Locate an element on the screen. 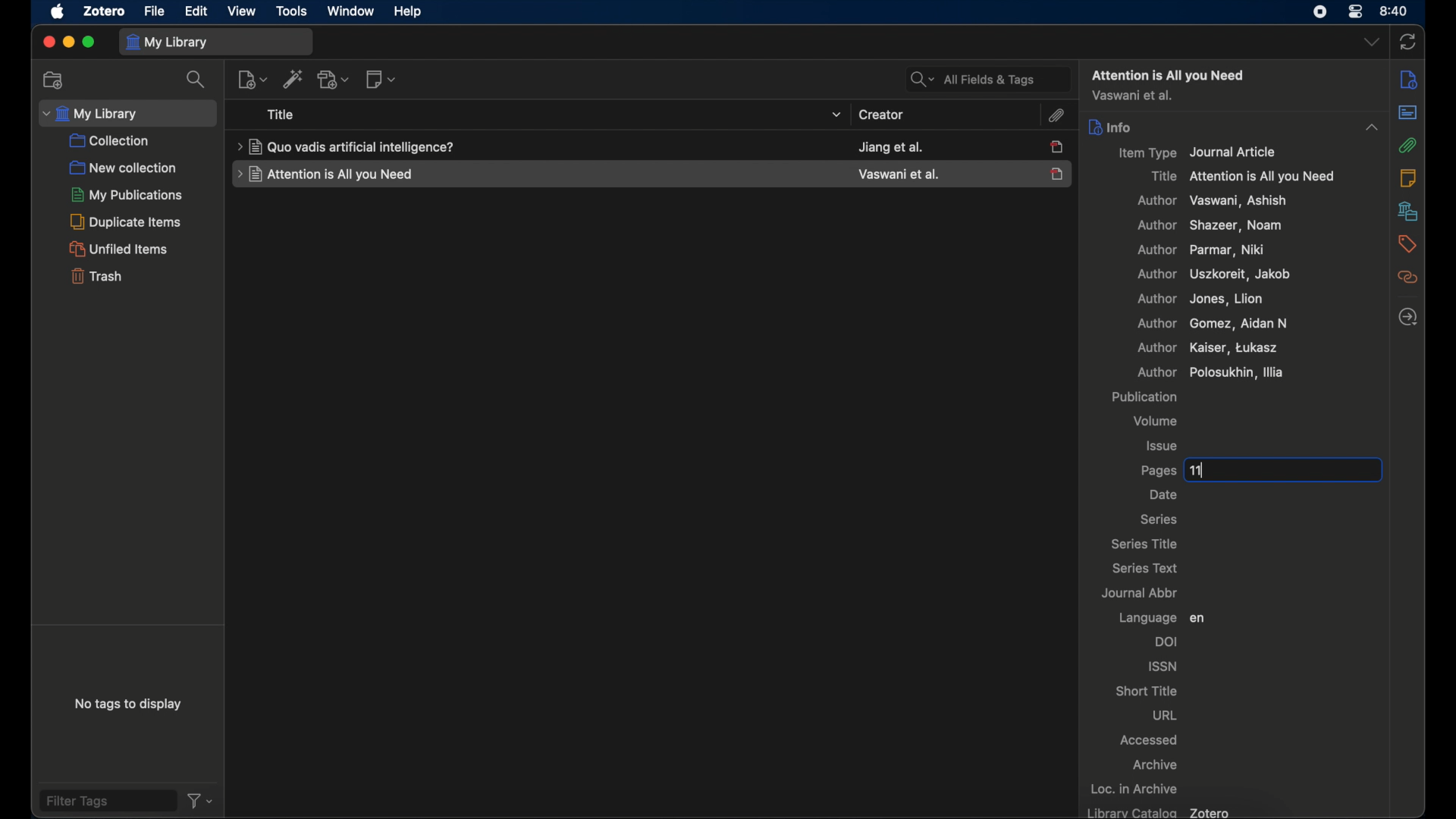 This screenshot has width=1456, height=819. series is located at coordinates (1160, 519).